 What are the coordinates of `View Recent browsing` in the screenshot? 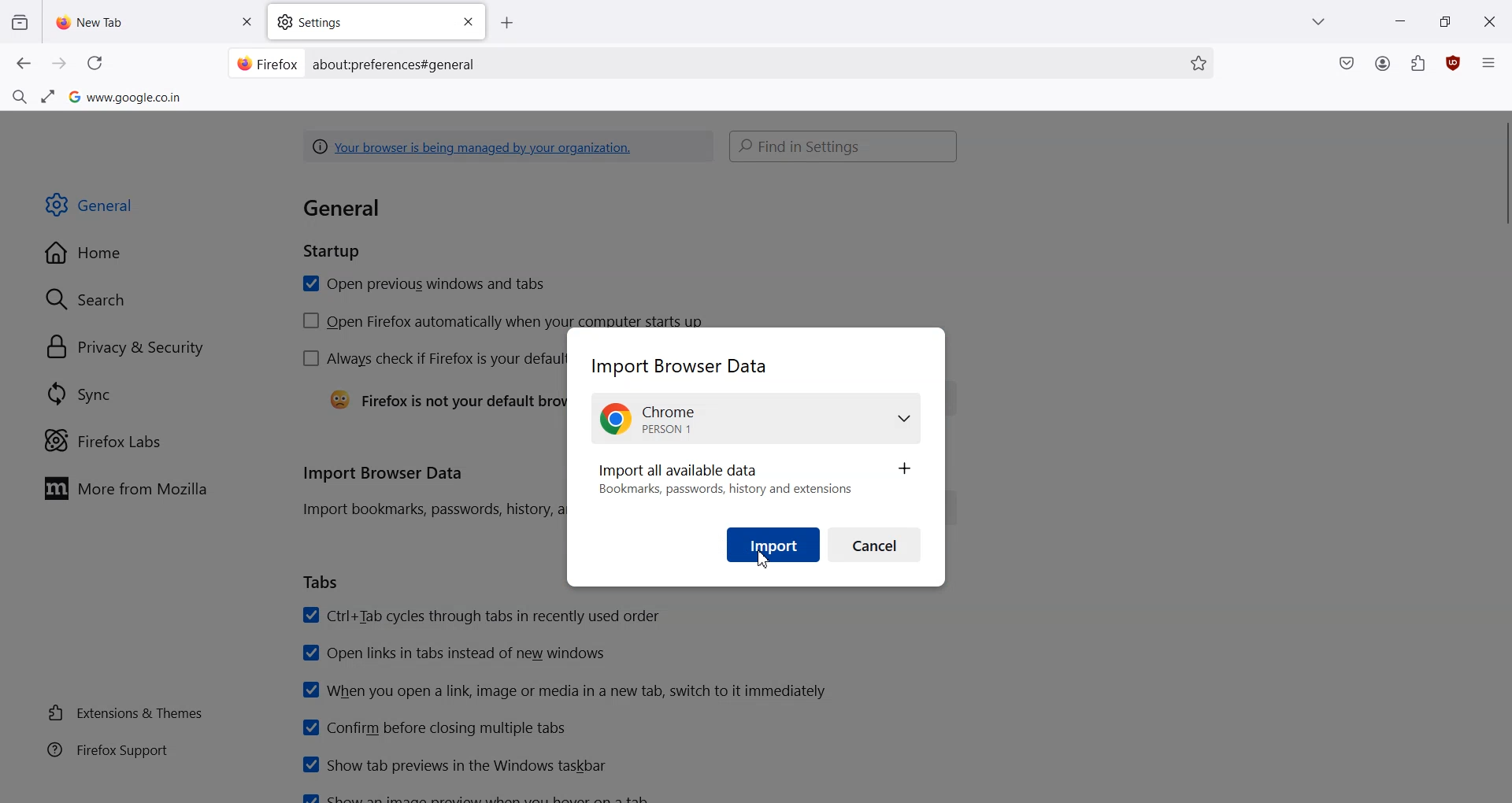 It's located at (20, 24).